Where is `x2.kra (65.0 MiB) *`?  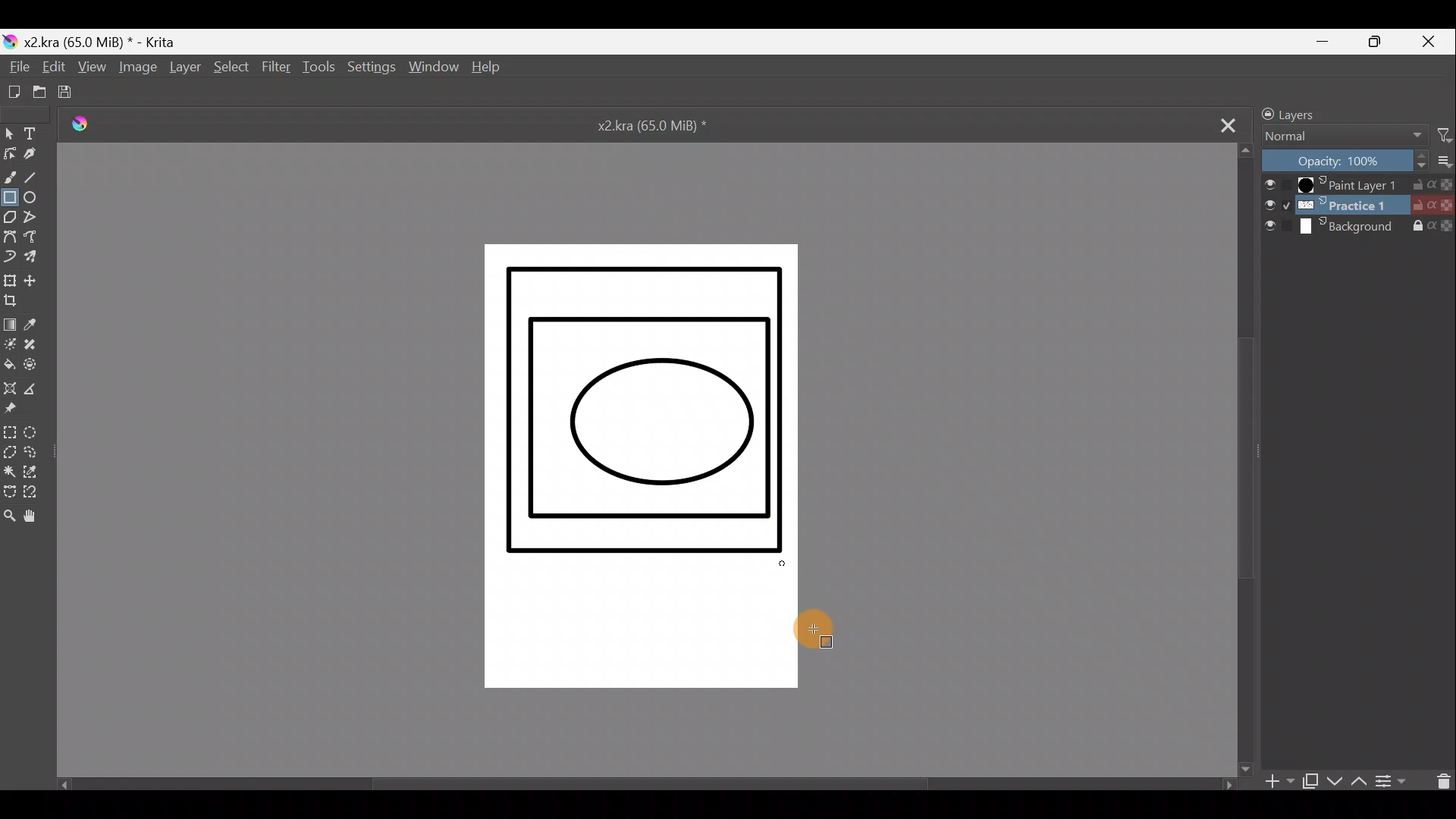 x2.kra (65.0 MiB) * is located at coordinates (651, 128).